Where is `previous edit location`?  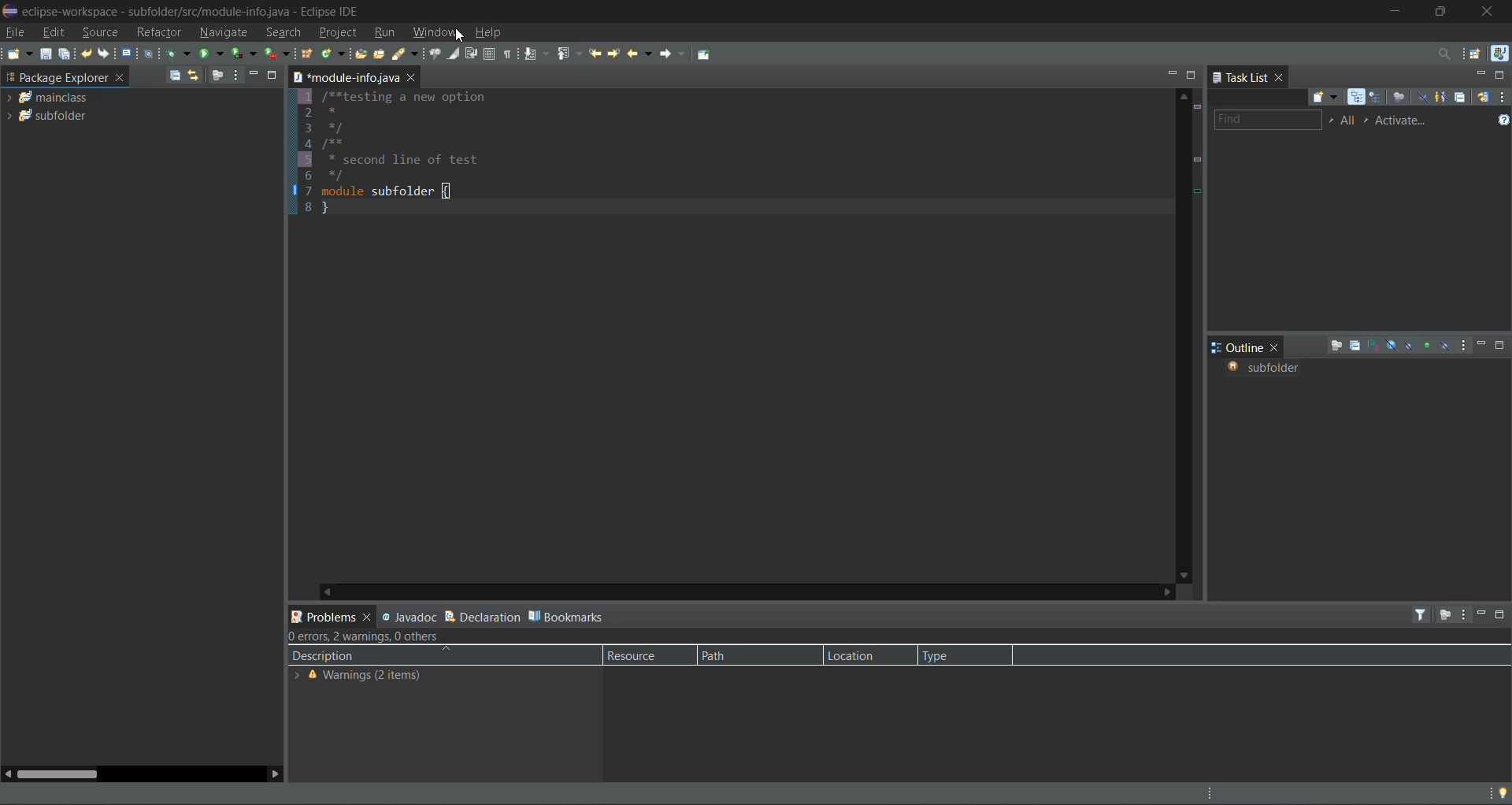 previous edit location is located at coordinates (598, 54).